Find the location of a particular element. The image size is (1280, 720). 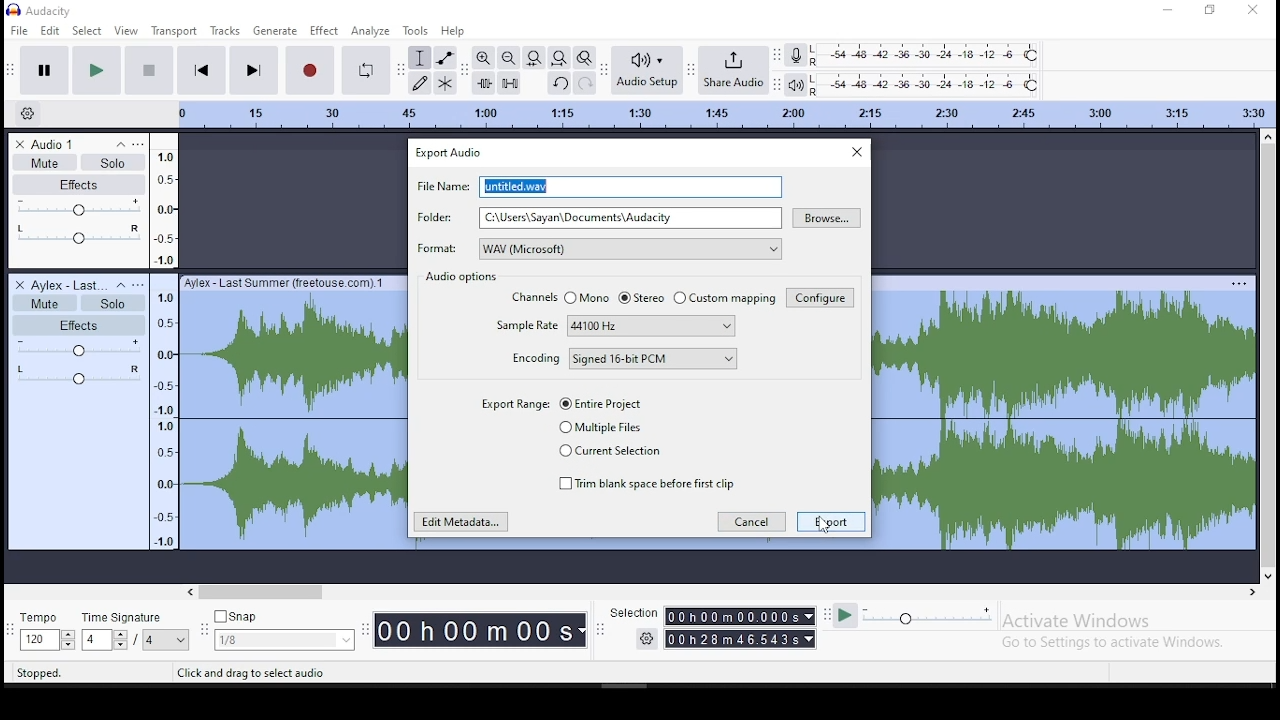

pause is located at coordinates (41, 69).